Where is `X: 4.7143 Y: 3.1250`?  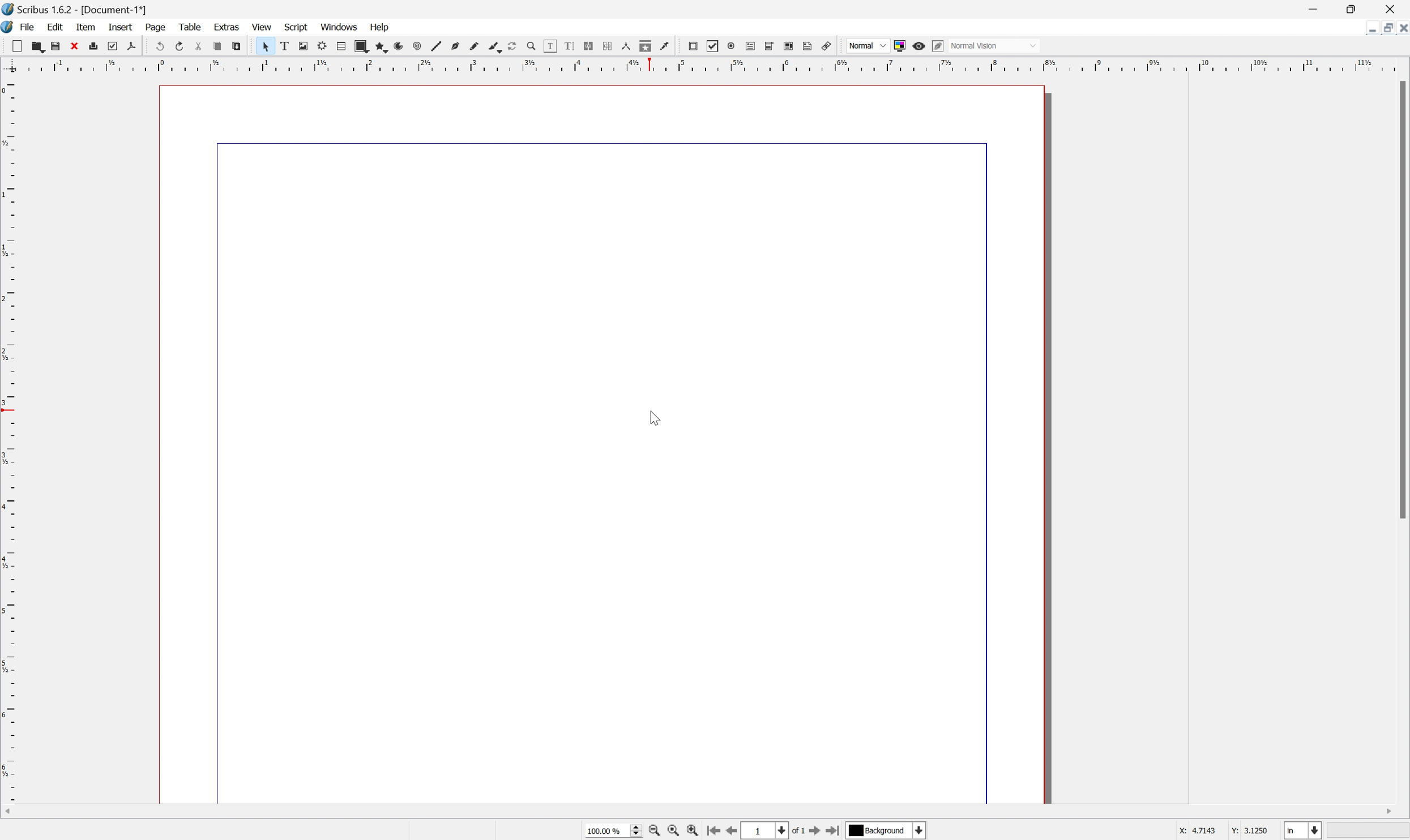
X: 4.7143 Y: 3.1250 is located at coordinates (1219, 832).